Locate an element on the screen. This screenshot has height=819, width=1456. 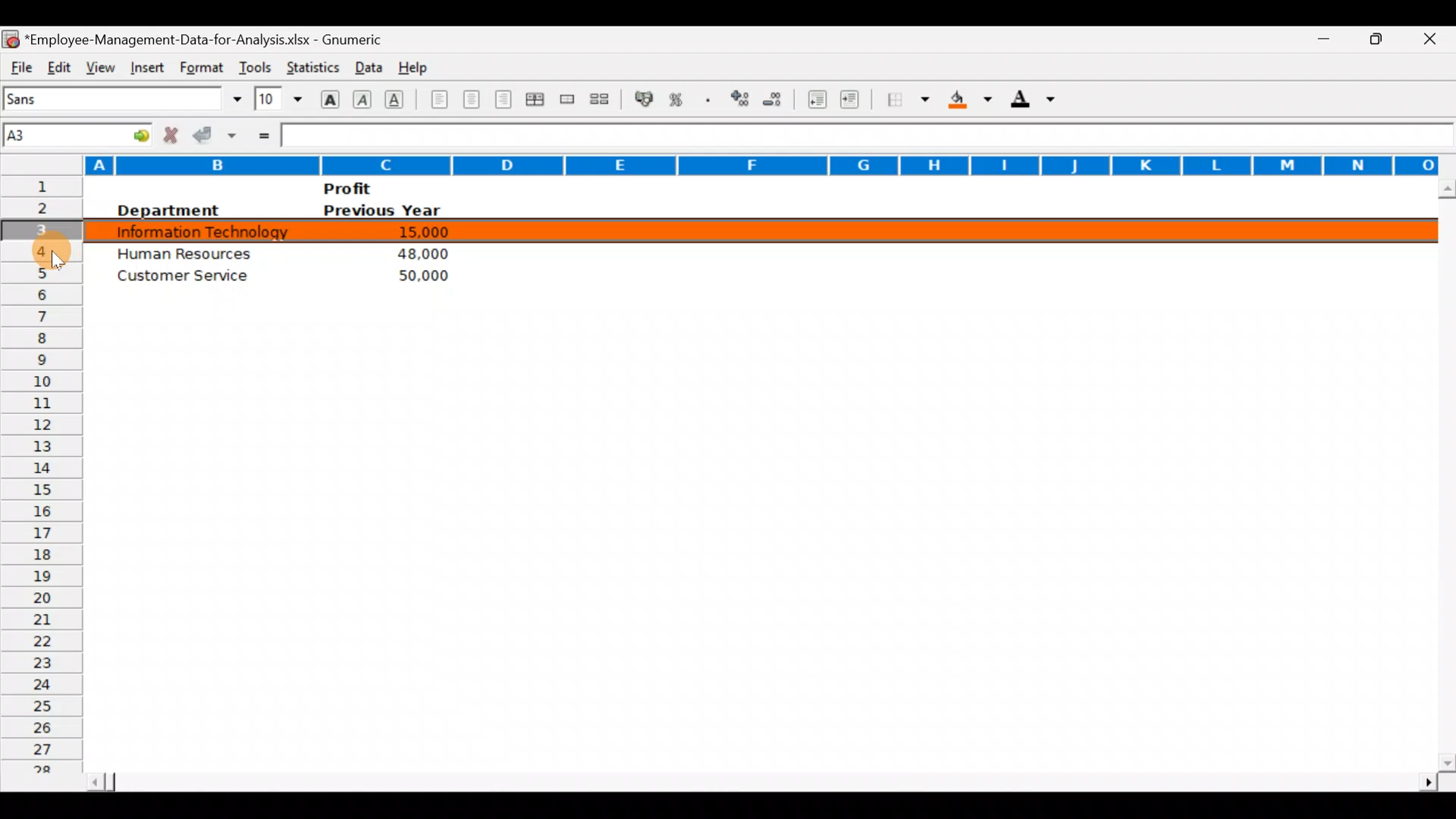
Font size is located at coordinates (278, 99).